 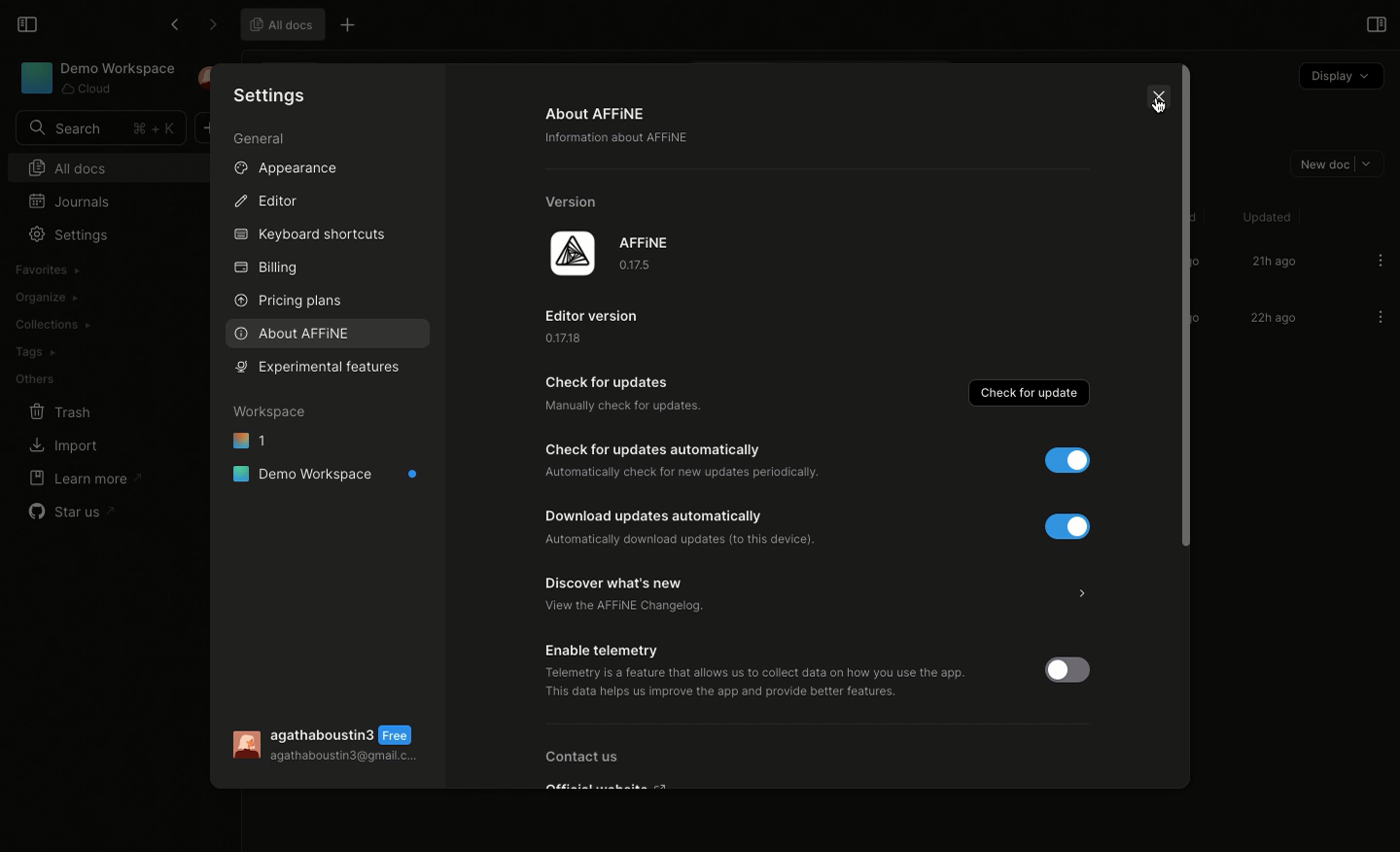 I want to click on Learn more, so click(x=84, y=478).